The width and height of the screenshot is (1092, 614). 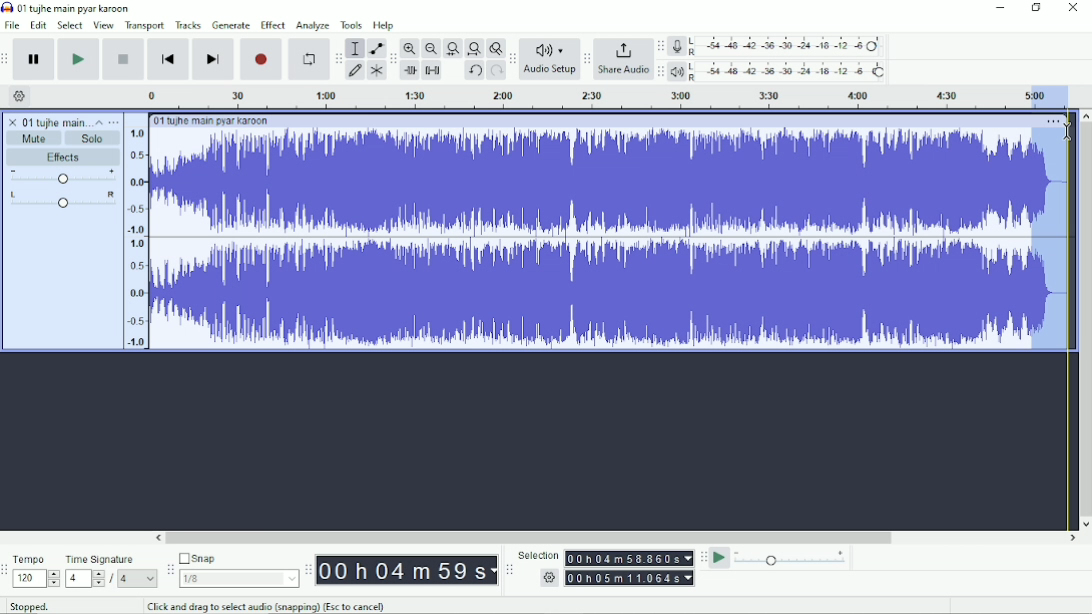 I want to click on Analyze, so click(x=314, y=25).